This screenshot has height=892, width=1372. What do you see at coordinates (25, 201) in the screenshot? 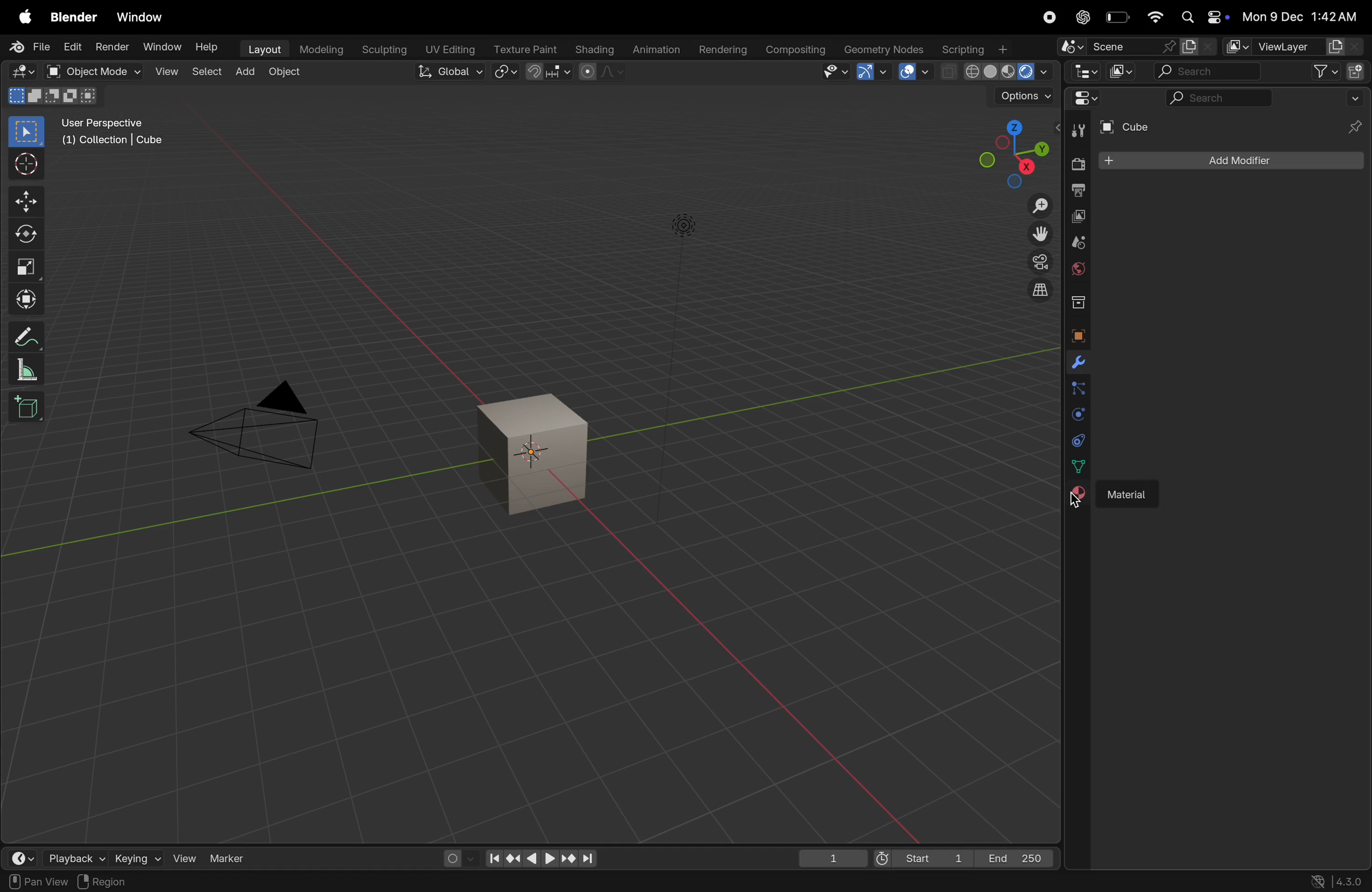
I see `move` at bounding box center [25, 201].